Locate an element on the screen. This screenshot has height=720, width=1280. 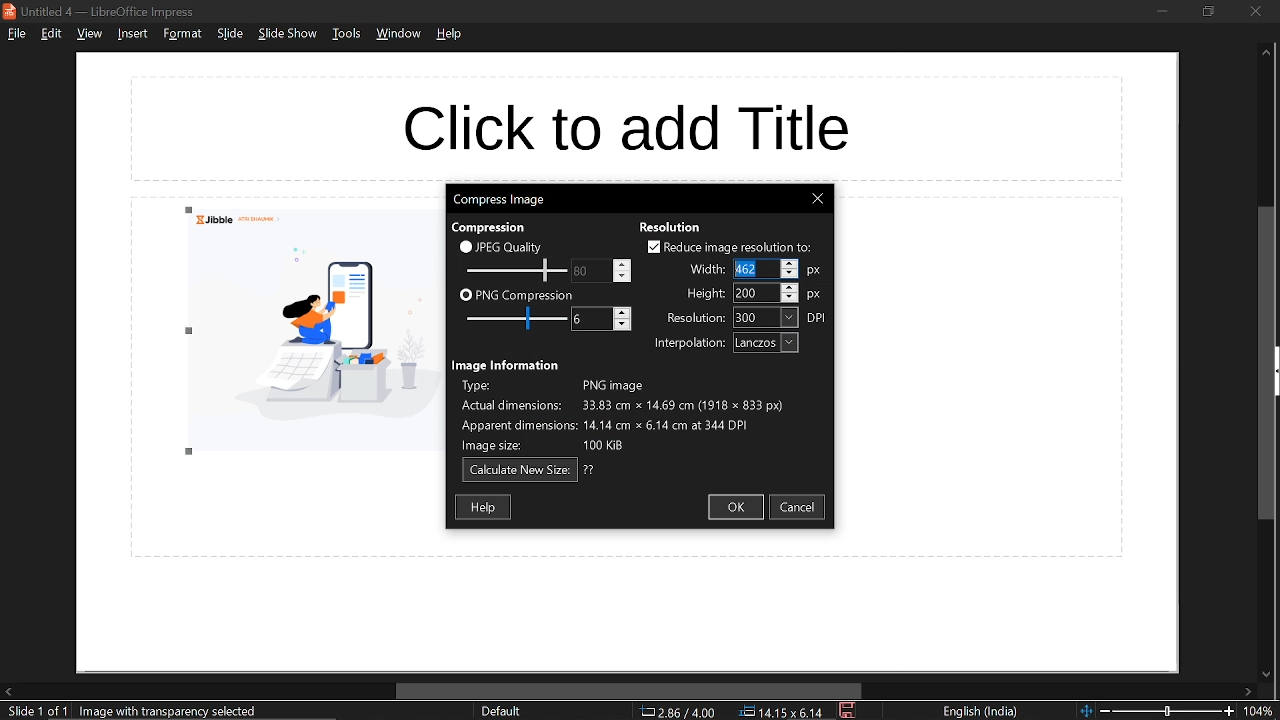
resolution unit: DPI is located at coordinates (818, 318).